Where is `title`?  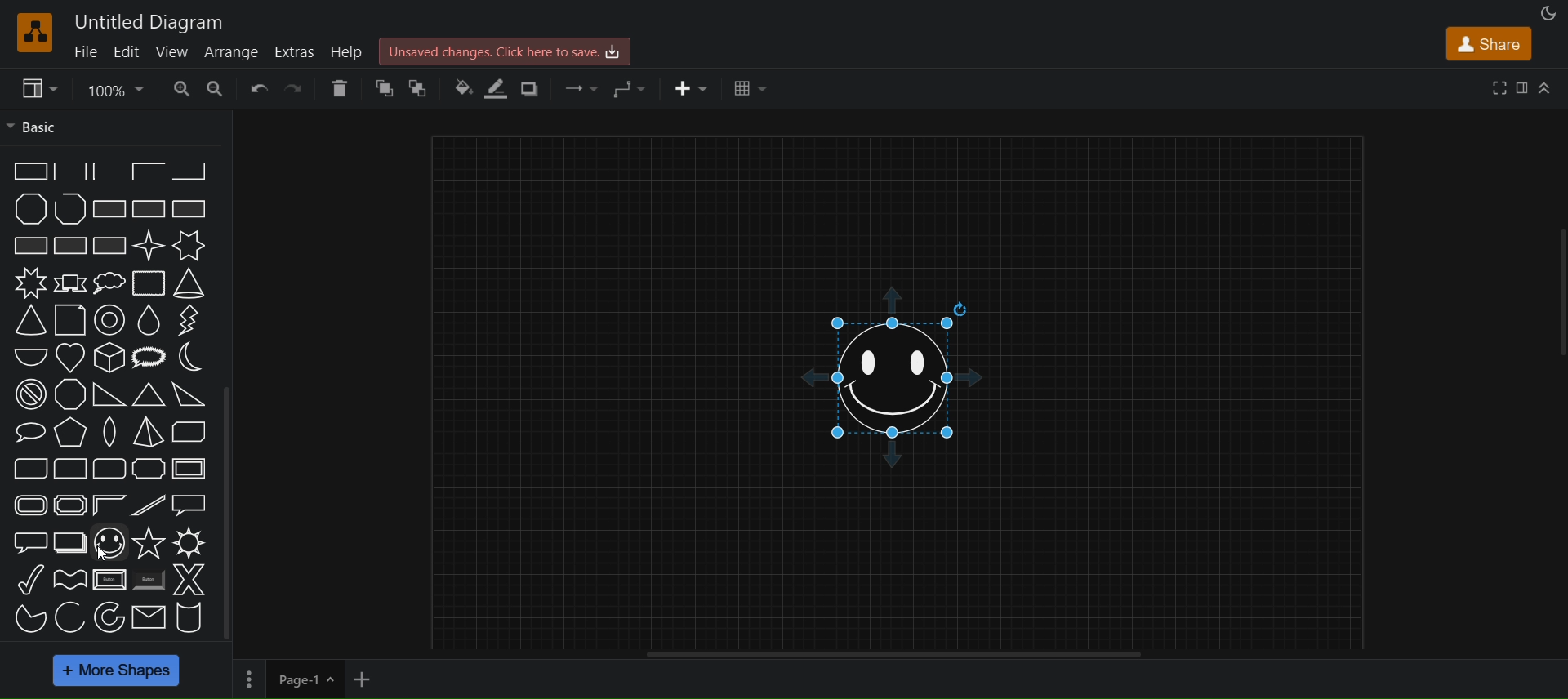 title is located at coordinates (155, 21).